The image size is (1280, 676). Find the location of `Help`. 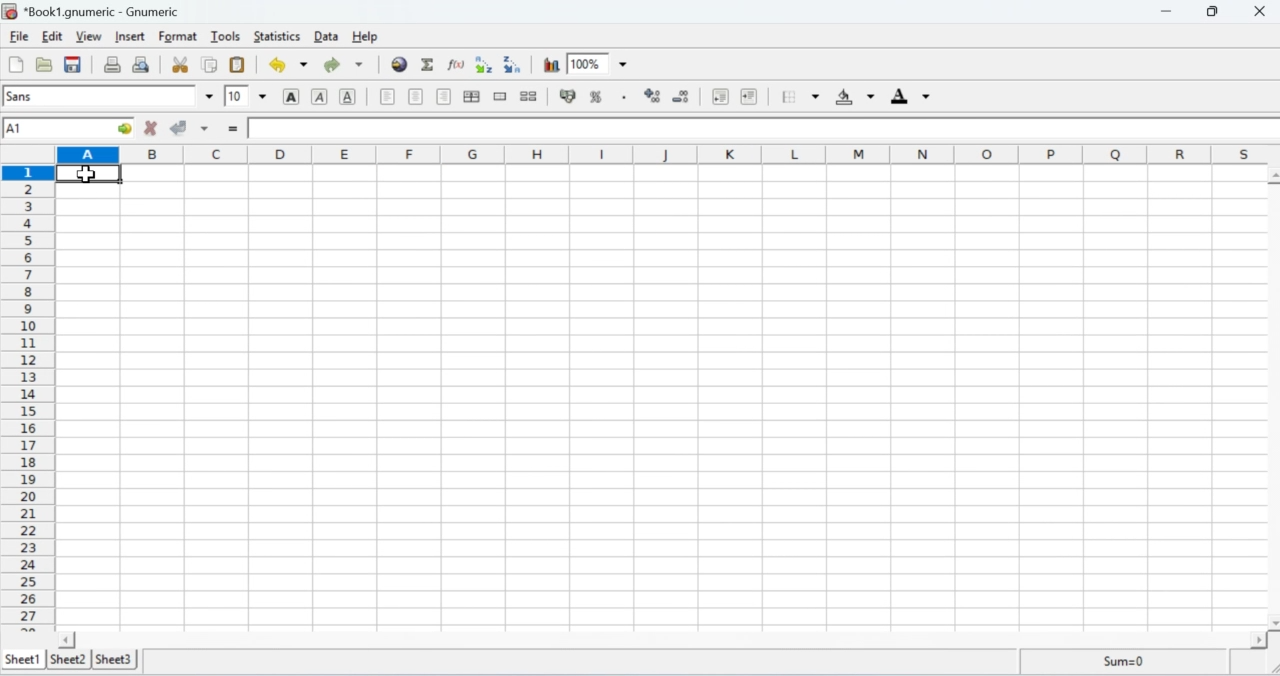

Help is located at coordinates (365, 36).